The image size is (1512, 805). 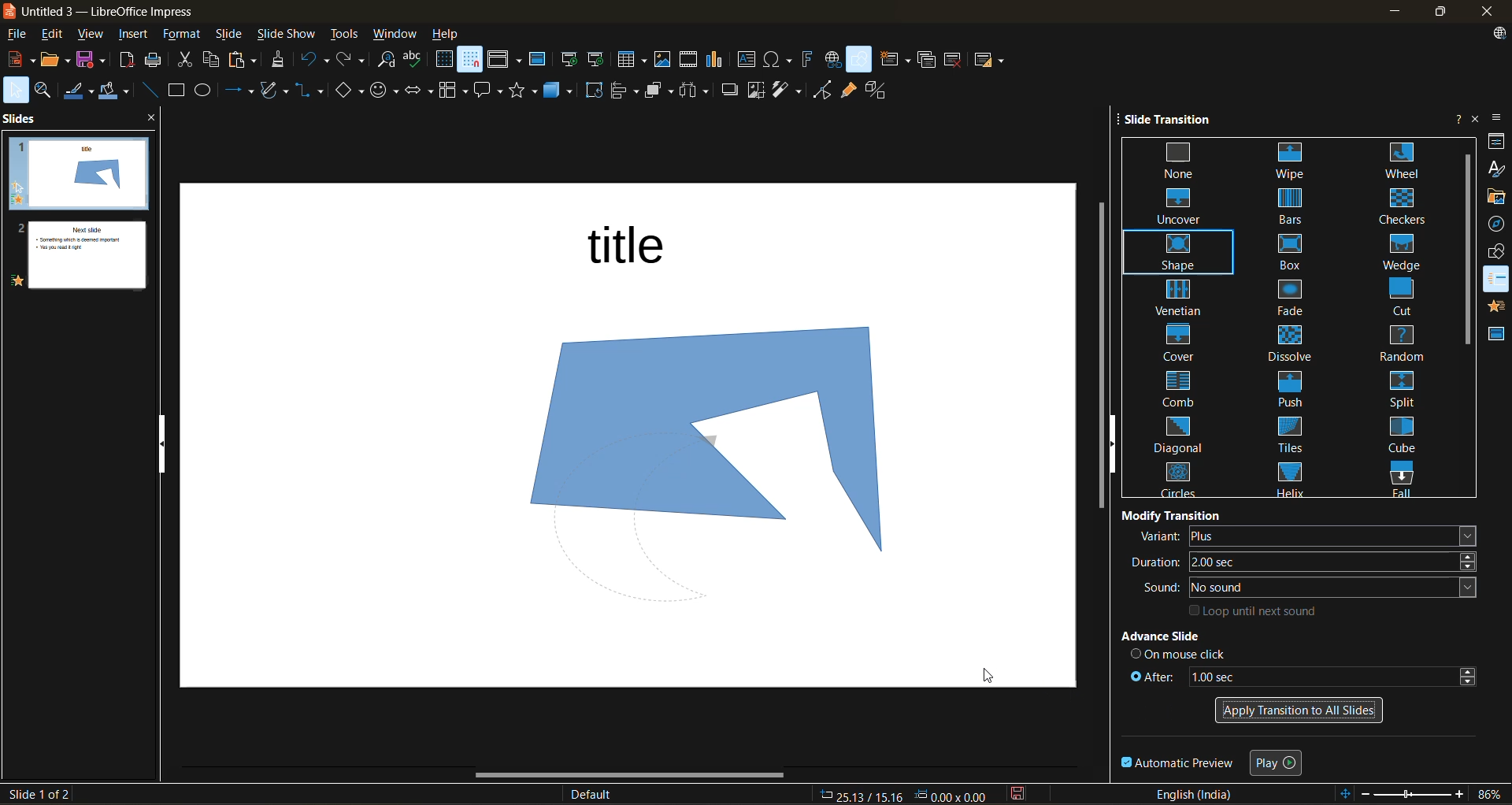 What do you see at coordinates (37, 794) in the screenshot?
I see `slide count` at bounding box center [37, 794].